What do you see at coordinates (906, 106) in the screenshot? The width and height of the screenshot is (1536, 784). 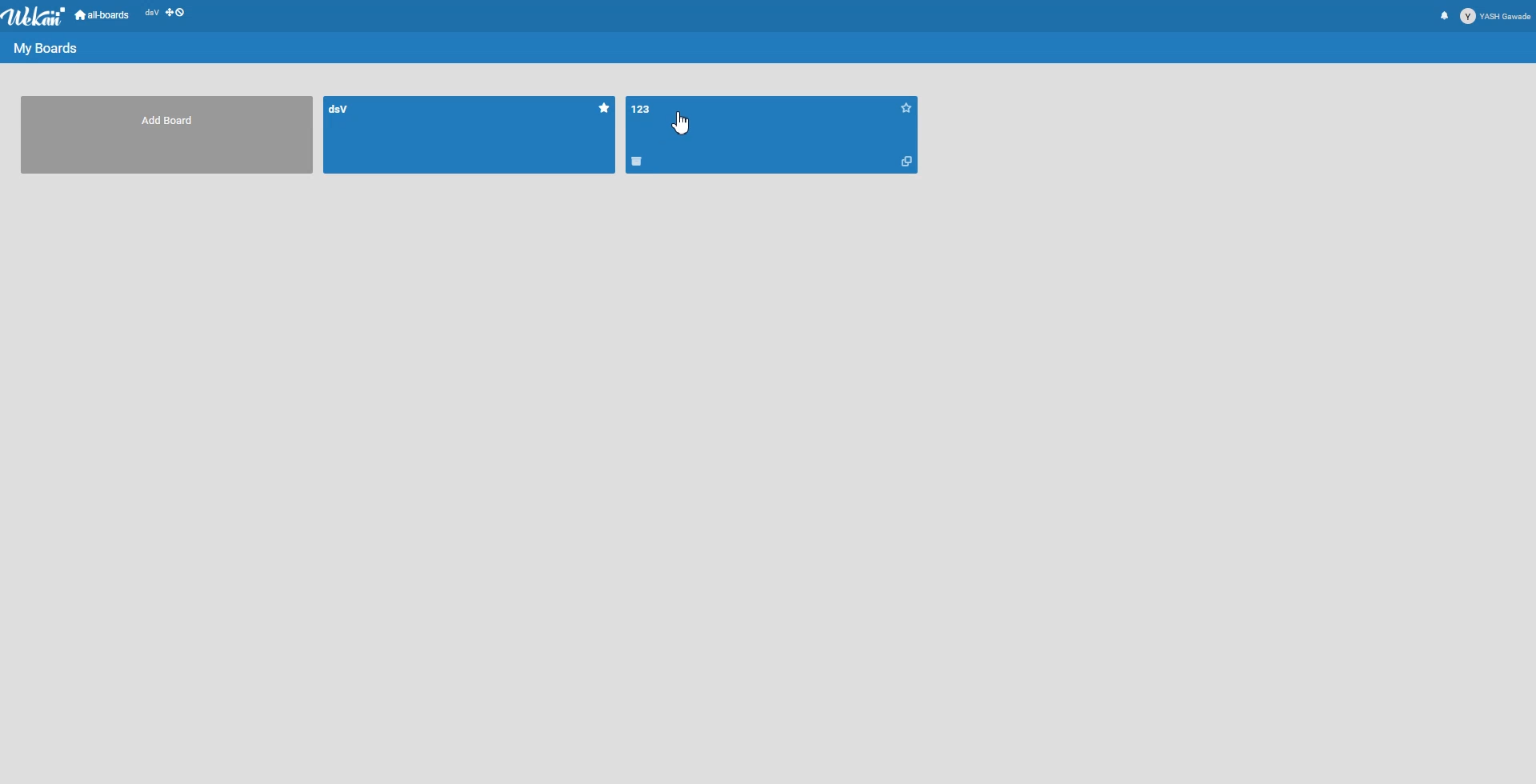 I see `Starred` at bounding box center [906, 106].